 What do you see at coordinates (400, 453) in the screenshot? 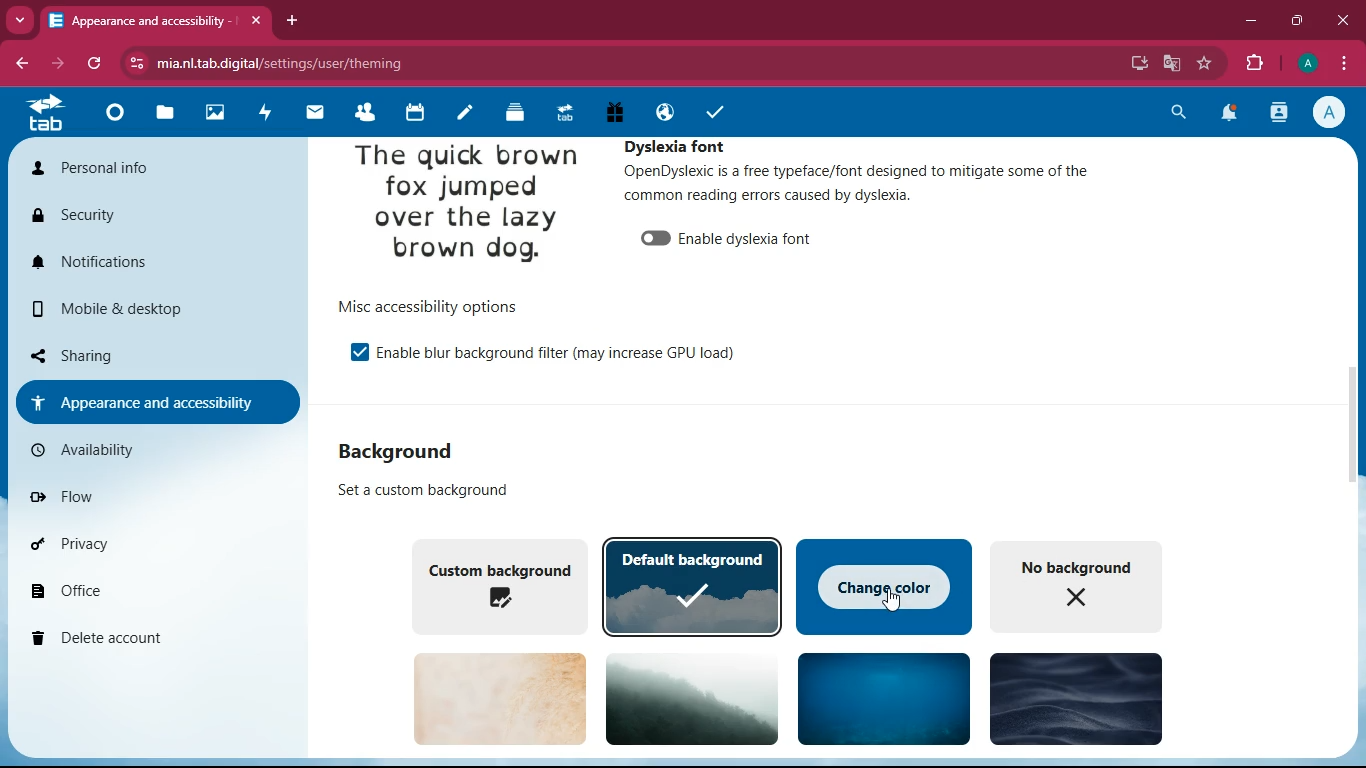
I see `background` at bounding box center [400, 453].